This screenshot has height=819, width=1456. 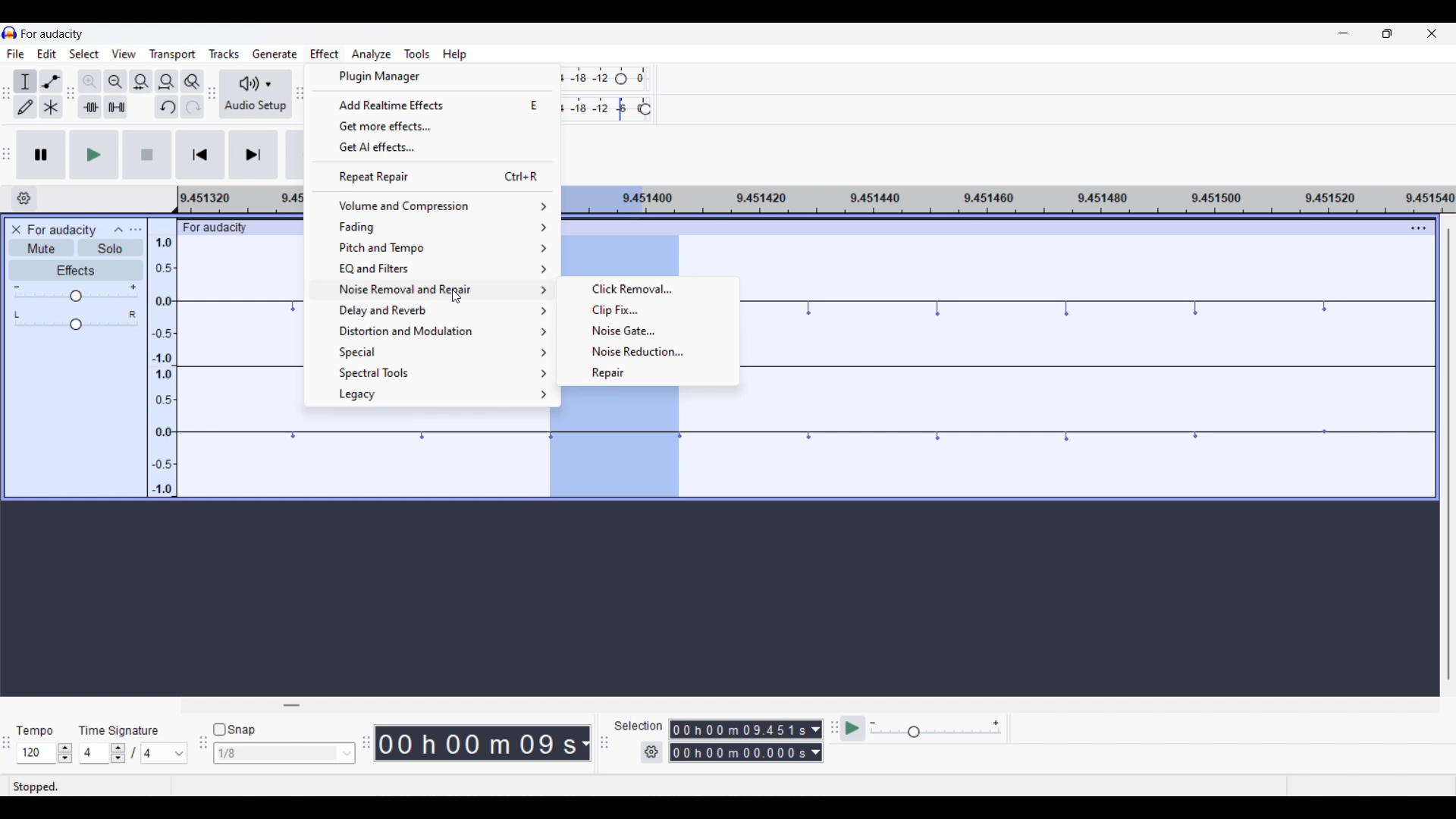 I want to click on Click removal, so click(x=648, y=288).